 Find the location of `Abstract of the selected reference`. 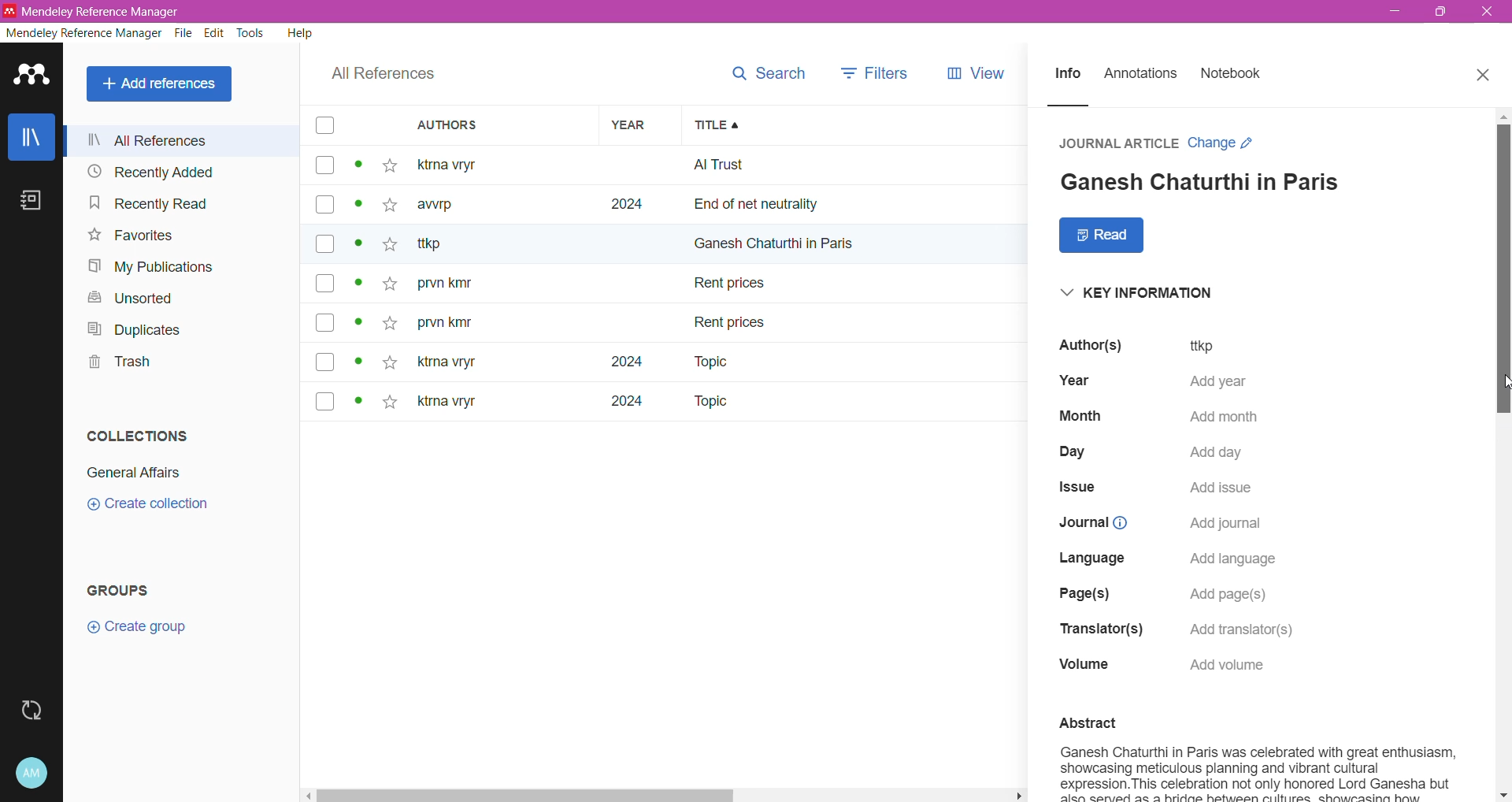

Abstract of the selected reference is located at coordinates (1262, 771).